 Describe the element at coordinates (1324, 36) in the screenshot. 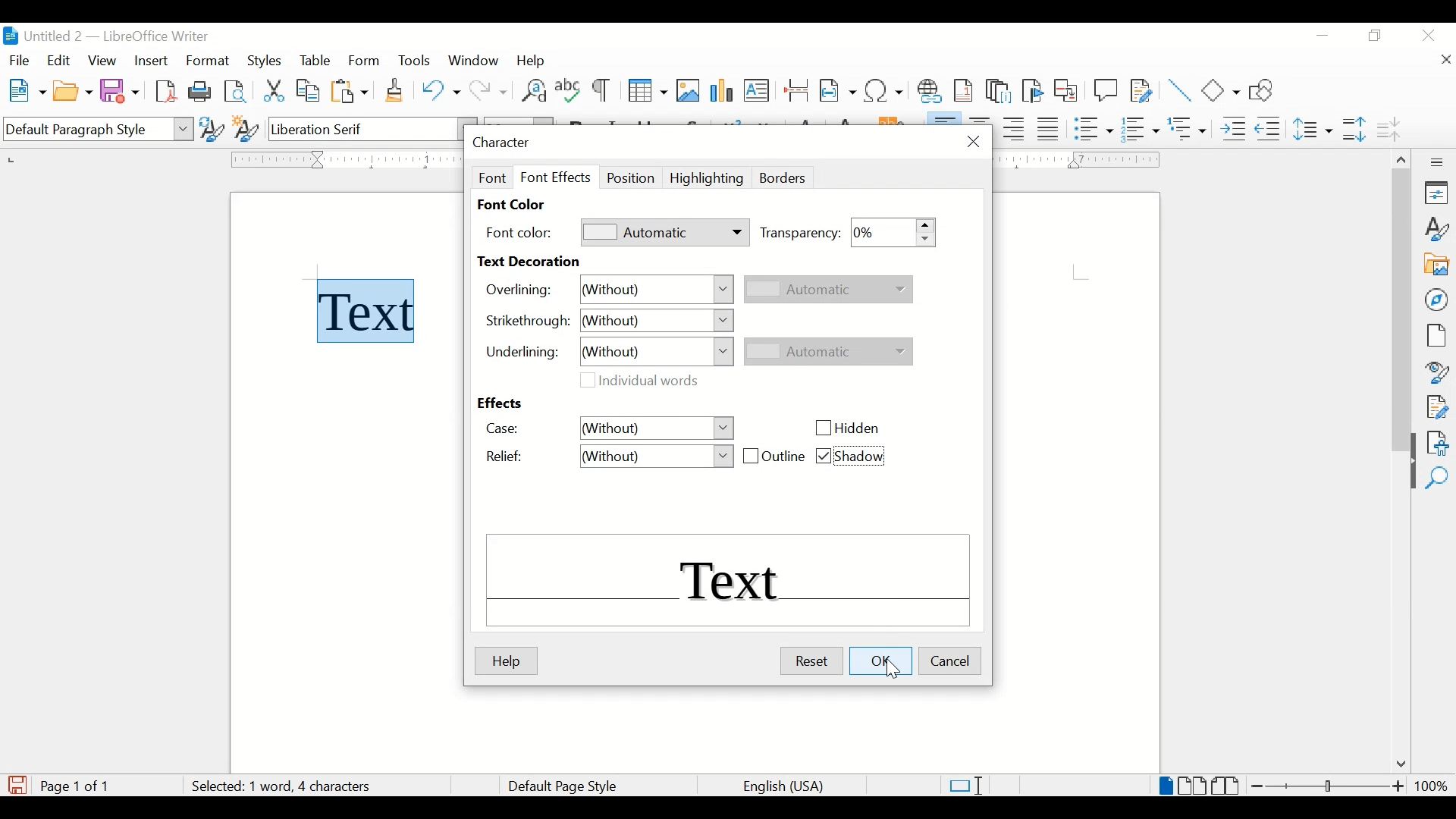

I see `minimize` at that location.